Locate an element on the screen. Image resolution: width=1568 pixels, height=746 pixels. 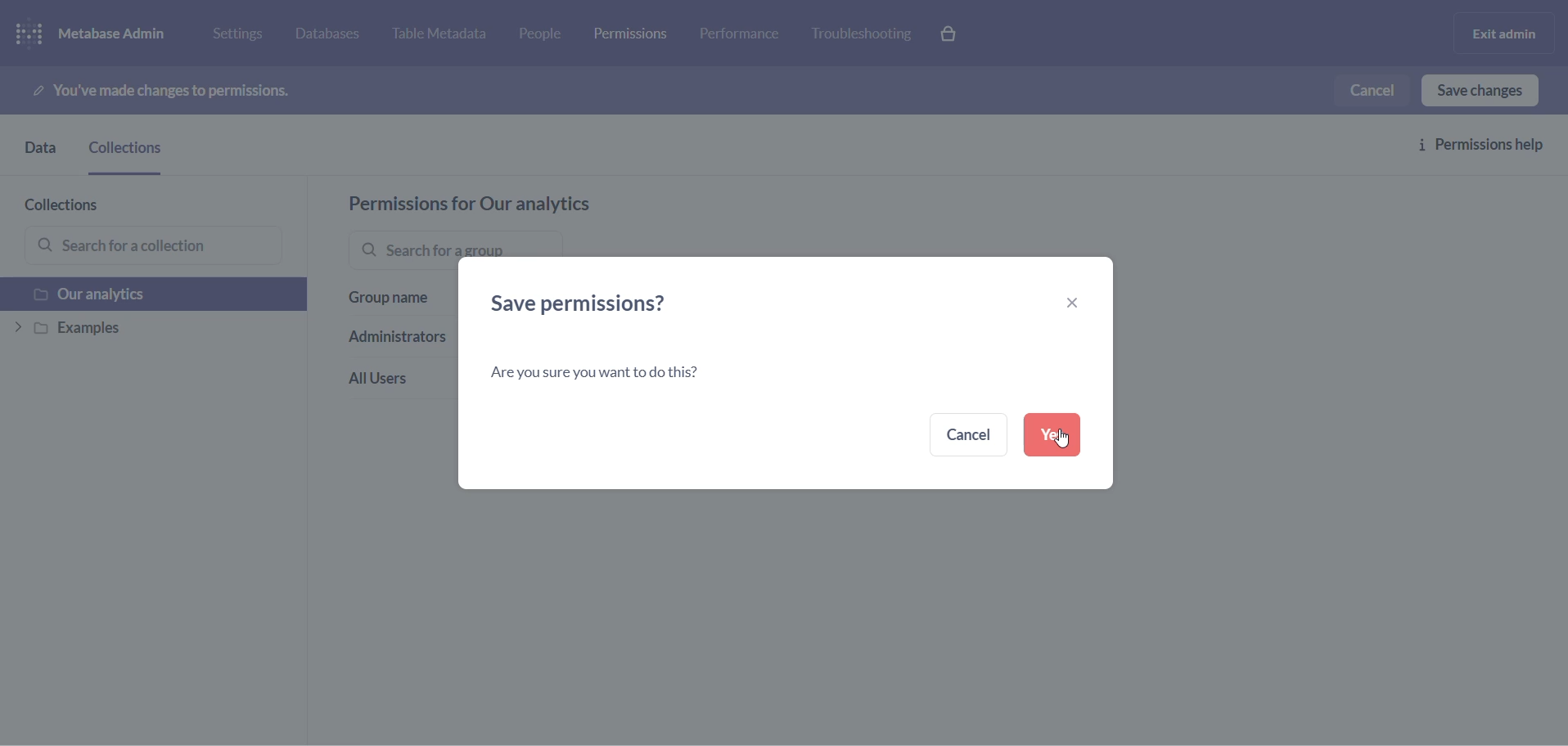
searchbar is located at coordinates (438, 245).